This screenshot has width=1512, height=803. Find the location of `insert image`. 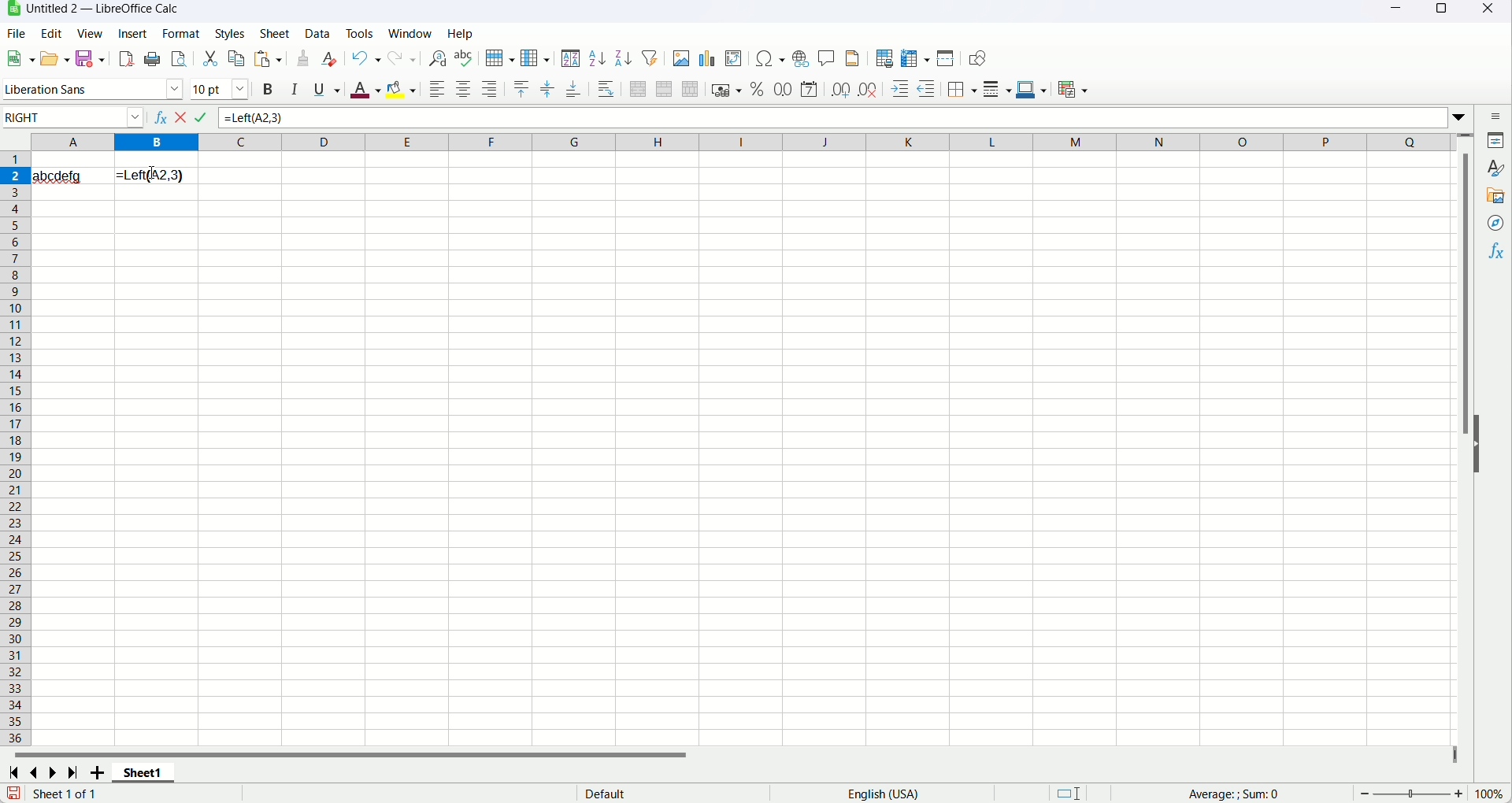

insert image is located at coordinates (681, 57).